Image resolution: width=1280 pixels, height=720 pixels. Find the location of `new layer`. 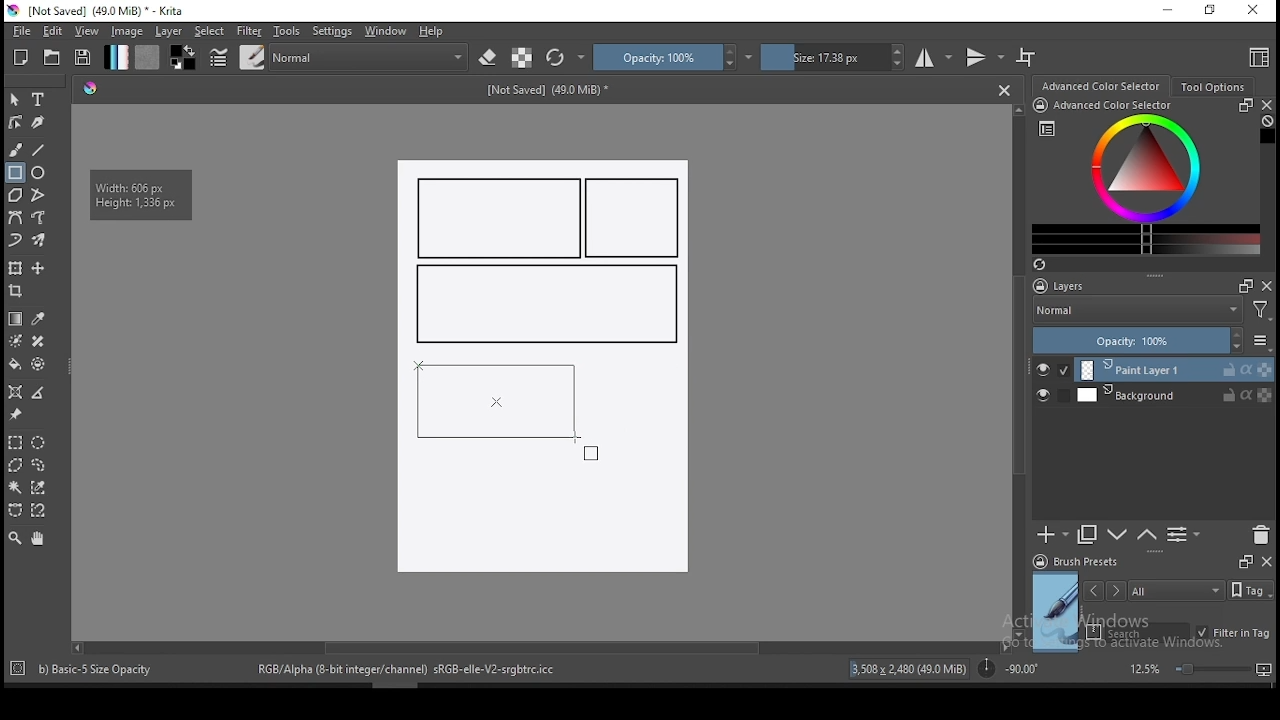

new layer is located at coordinates (1053, 534).